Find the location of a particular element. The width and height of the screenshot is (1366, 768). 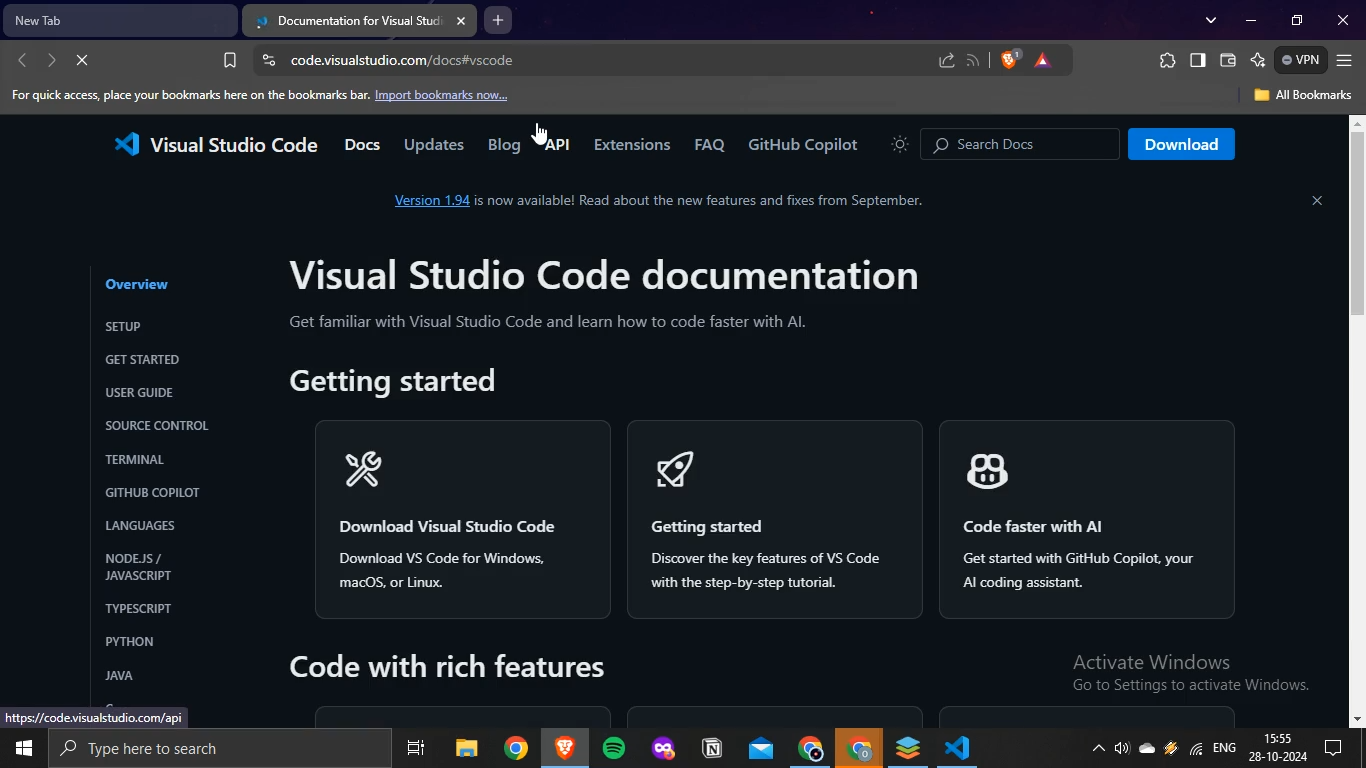

close is located at coordinates (1320, 201).